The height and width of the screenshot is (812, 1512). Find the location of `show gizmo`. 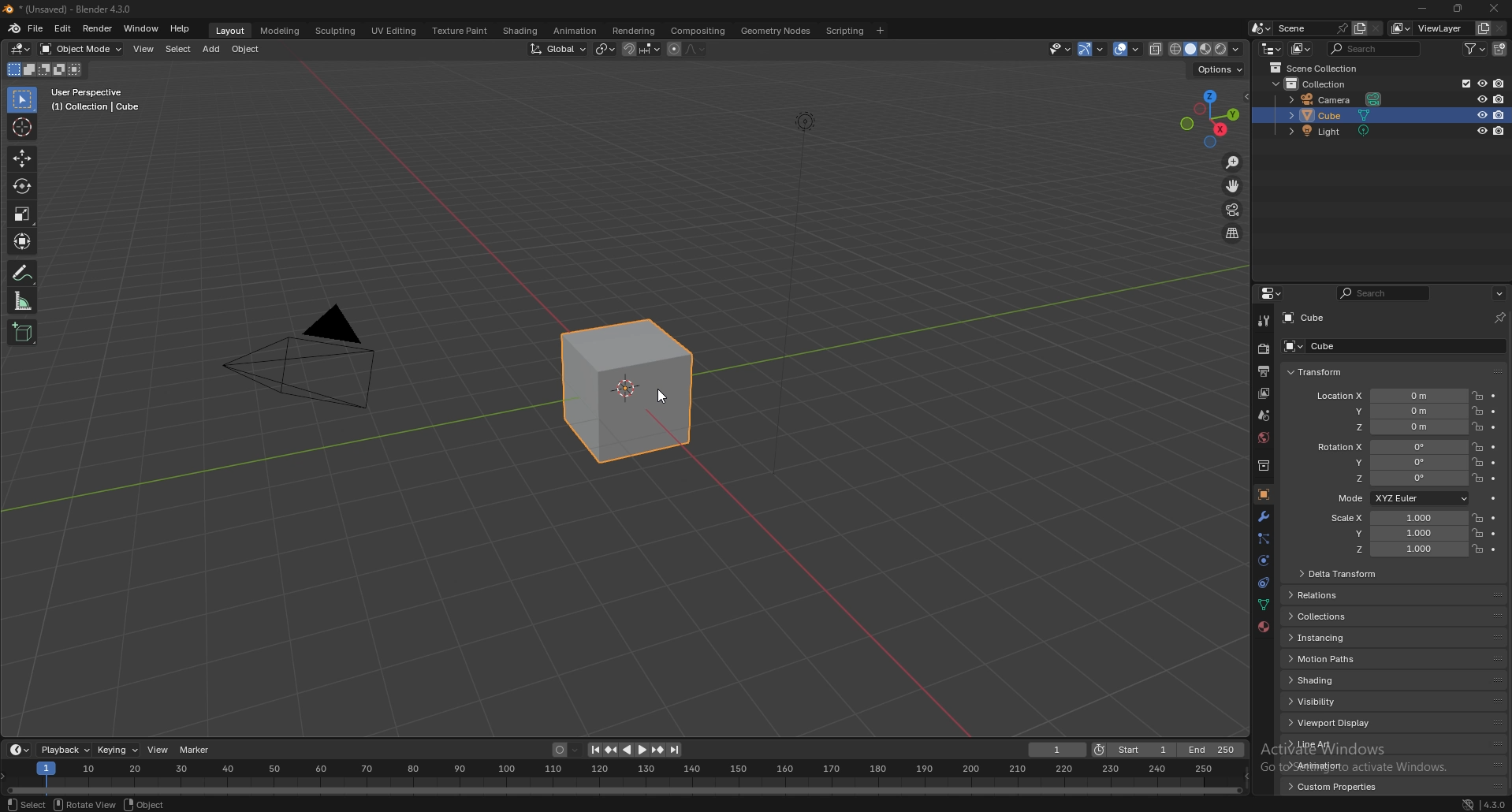

show gizmo is located at coordinates (1093, 50).